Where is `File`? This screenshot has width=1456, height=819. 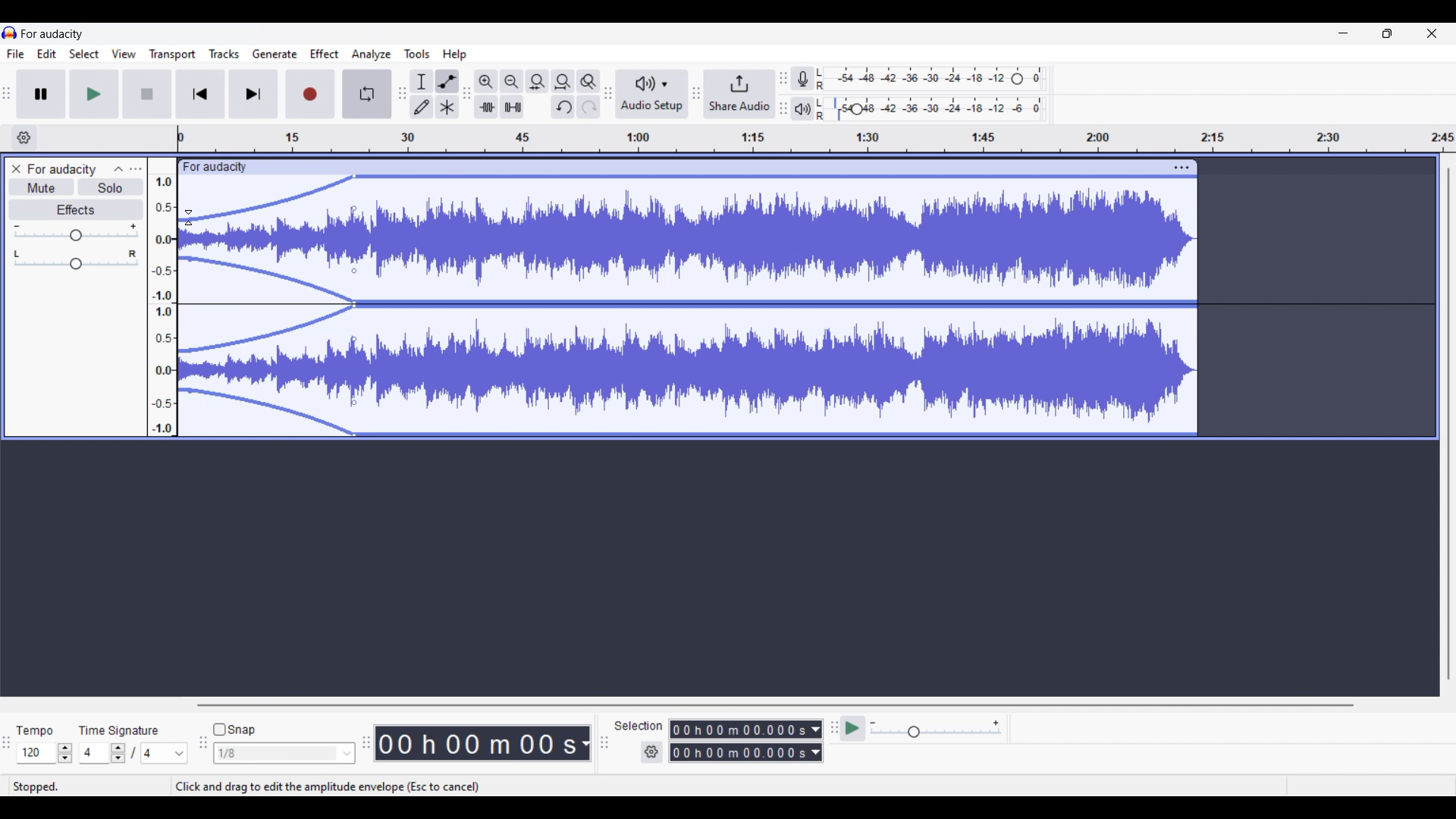 File is located at coordinates (16, 54).